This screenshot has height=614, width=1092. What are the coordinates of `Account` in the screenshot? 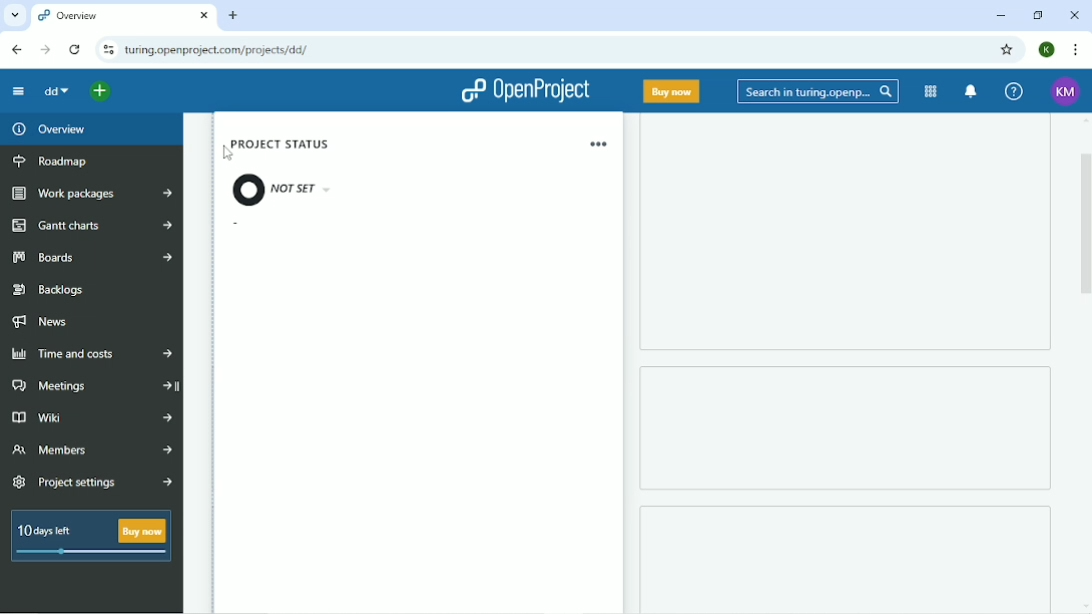 It's located at (1048, 50).